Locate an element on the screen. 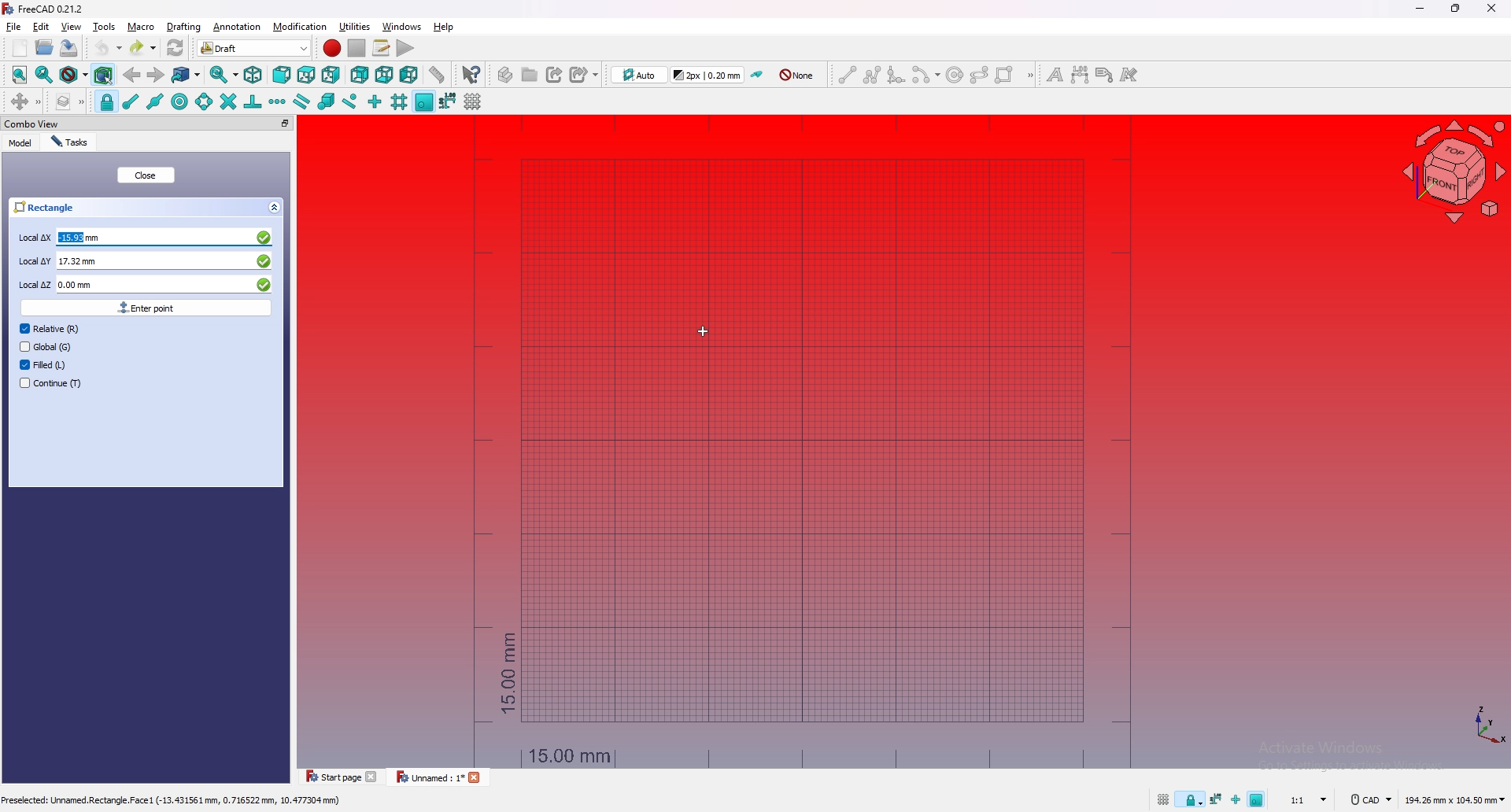 This screenshot has height=812, width=1511. redo is located at coordinates (144, 47).